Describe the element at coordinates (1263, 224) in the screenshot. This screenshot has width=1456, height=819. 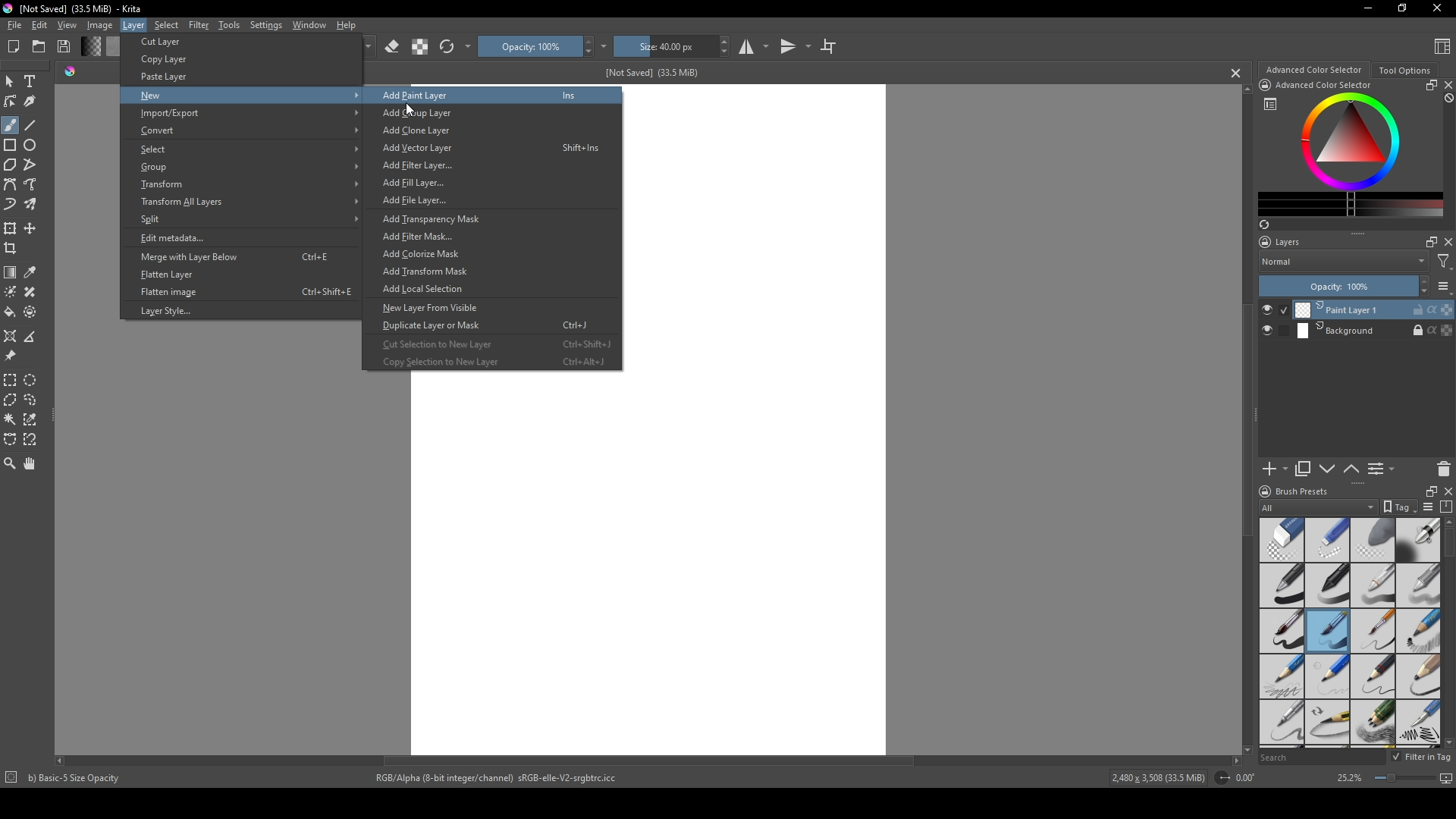
I see `refresh` at that location.